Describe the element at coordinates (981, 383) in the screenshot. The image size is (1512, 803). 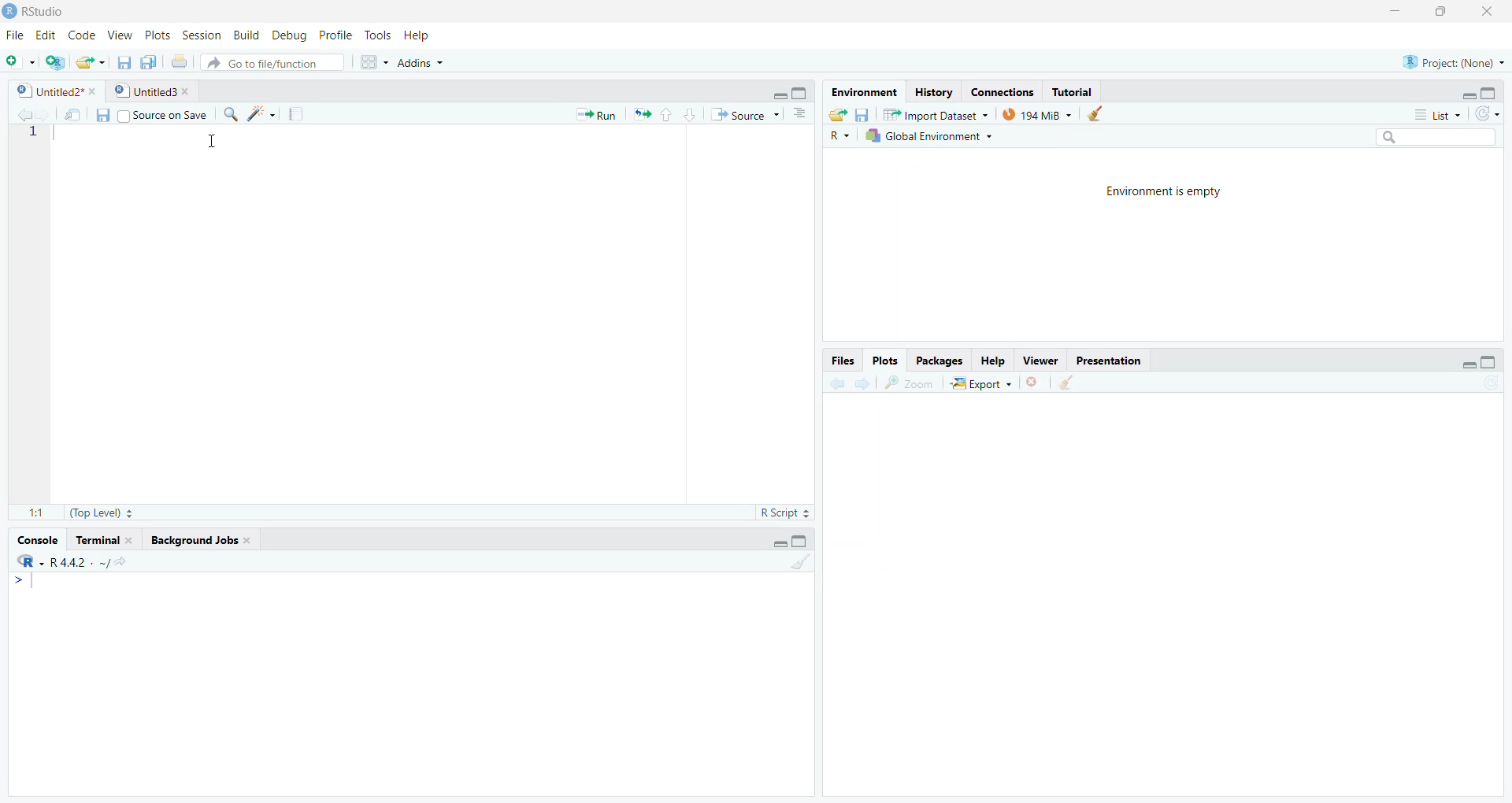
I see `Export ` at that location.